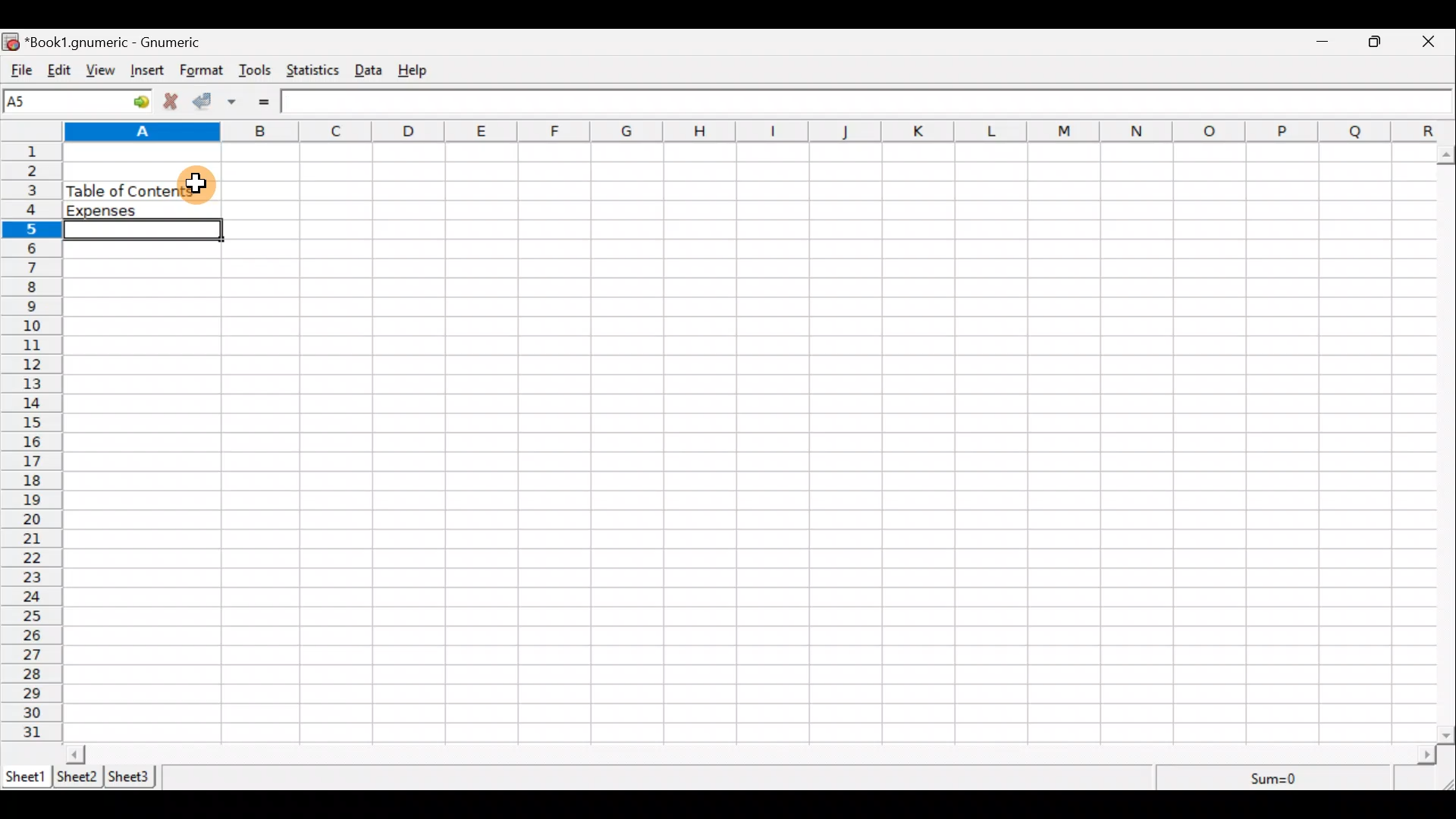 The width and height of the screenshot is (1456, 819). I want to click on scroll down, so click(1447, 735).